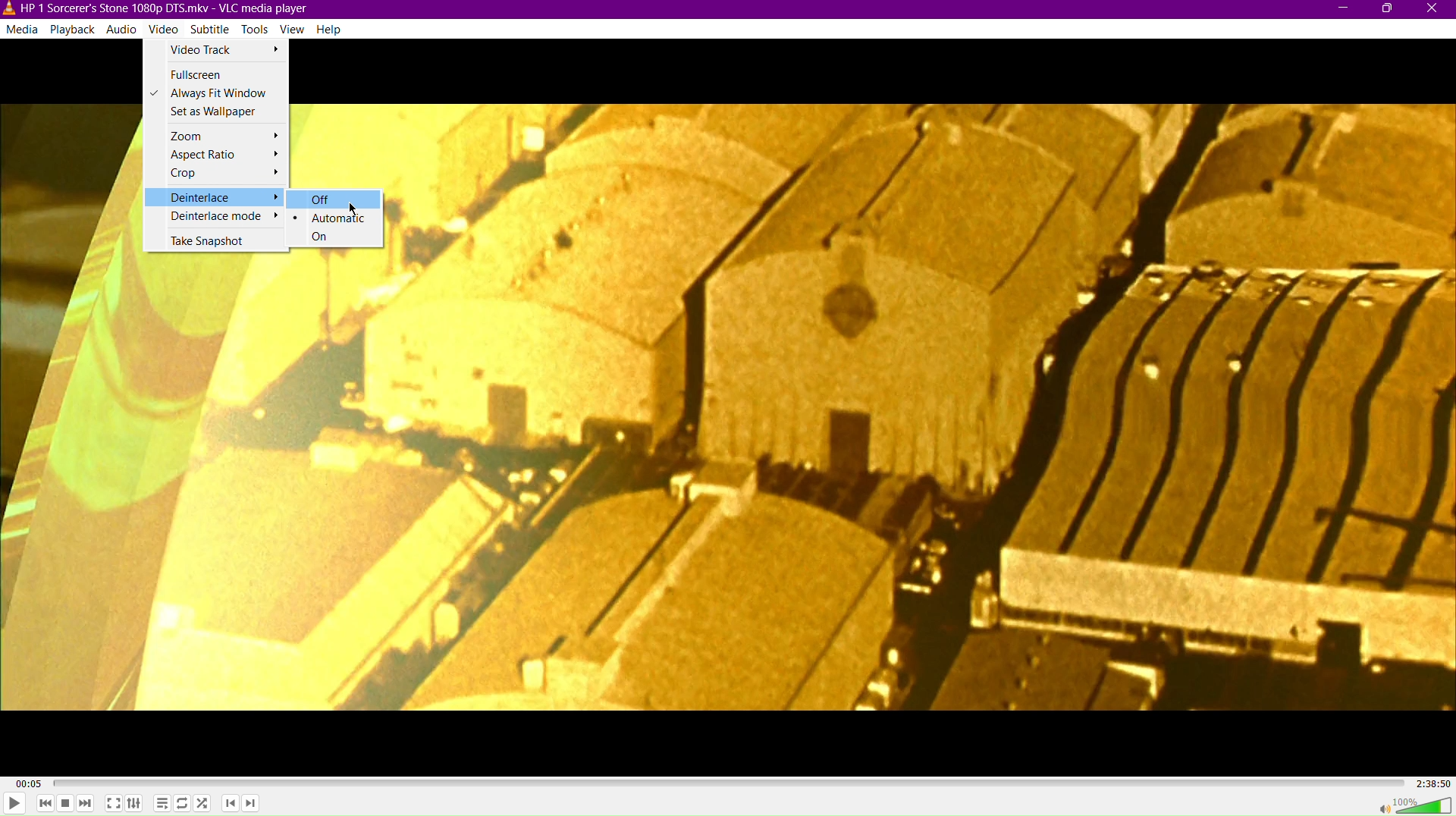 This screenshot has height=816, width=1456. What do you see at coordinates (330, 29) in the screenshot?
I see `Help` at bounding box center [330, 29].